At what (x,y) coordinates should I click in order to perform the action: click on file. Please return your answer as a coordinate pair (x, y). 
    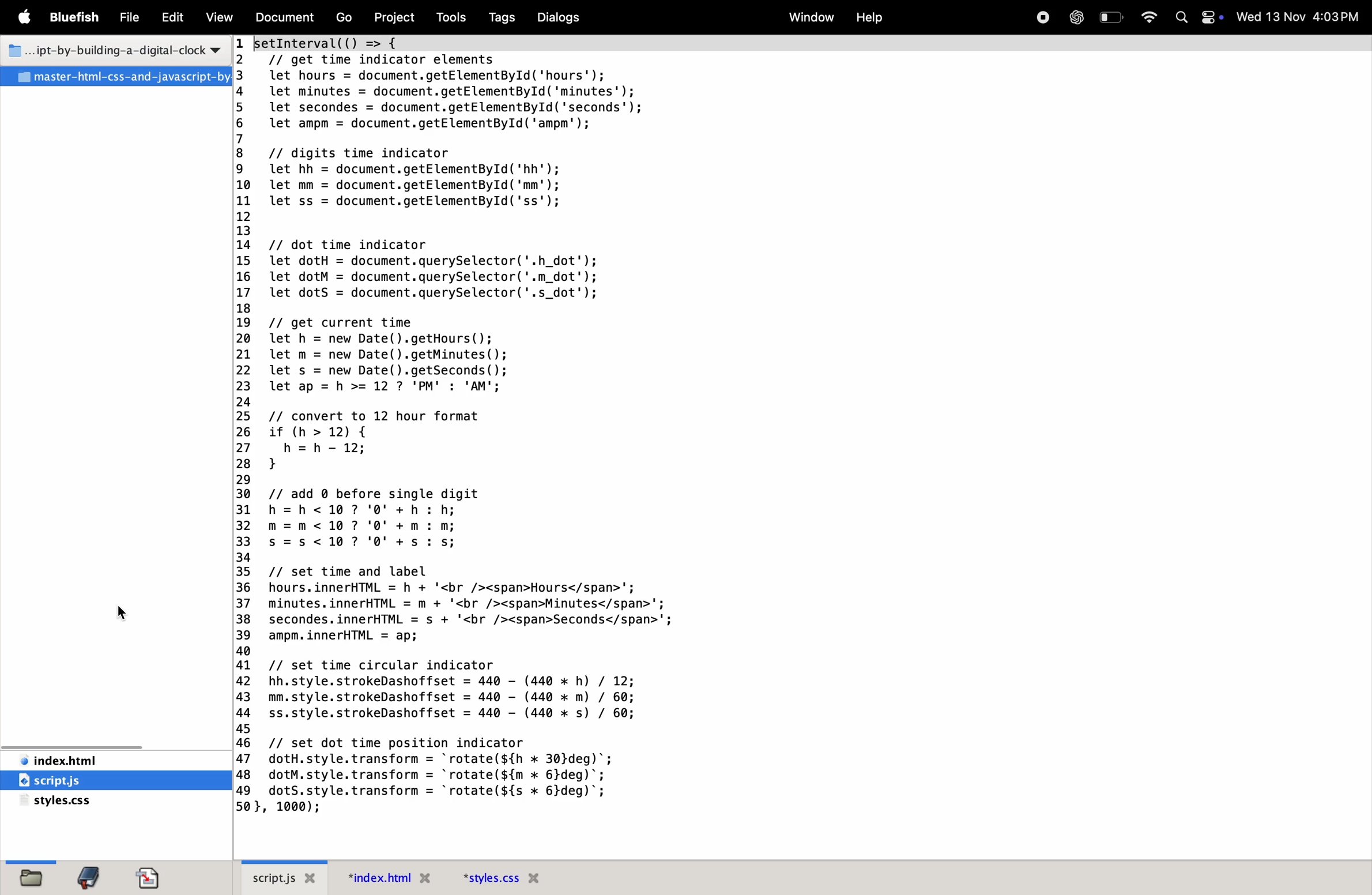
    Looking at the image, I should click on (30, 877).